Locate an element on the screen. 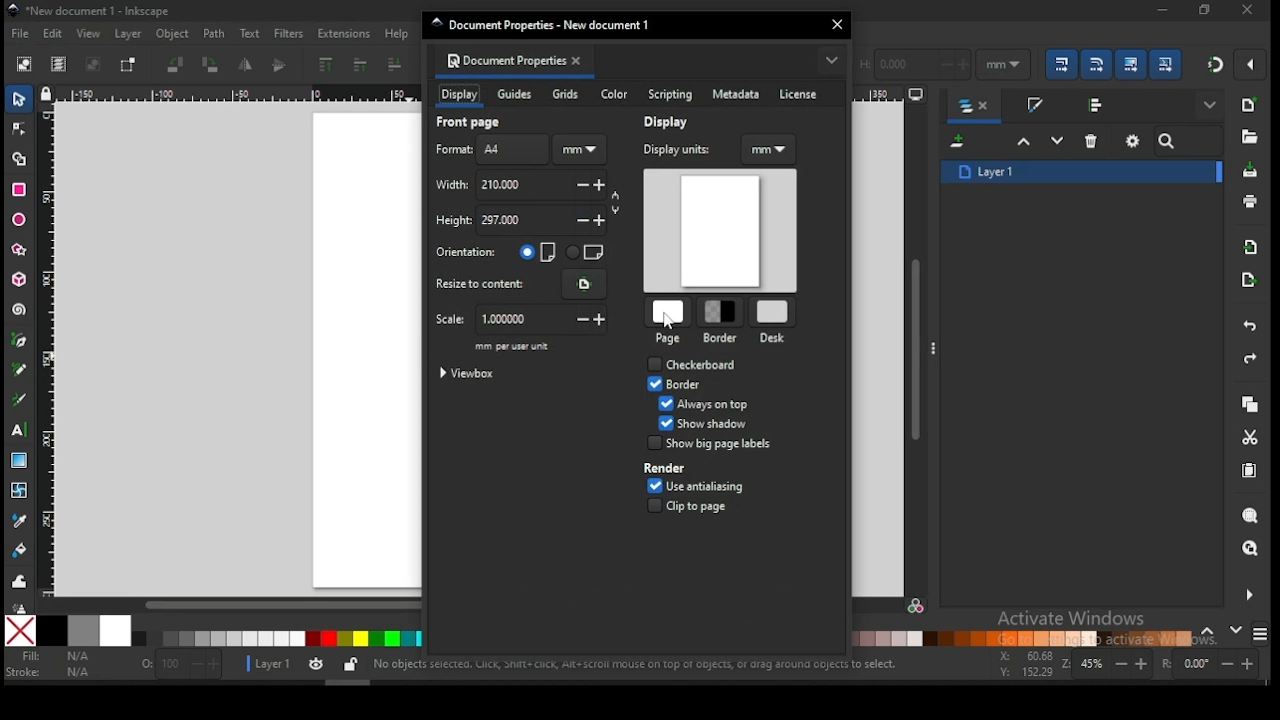 This screenshot has width=1280, height=720. page format is located at coordinates (489, 150).